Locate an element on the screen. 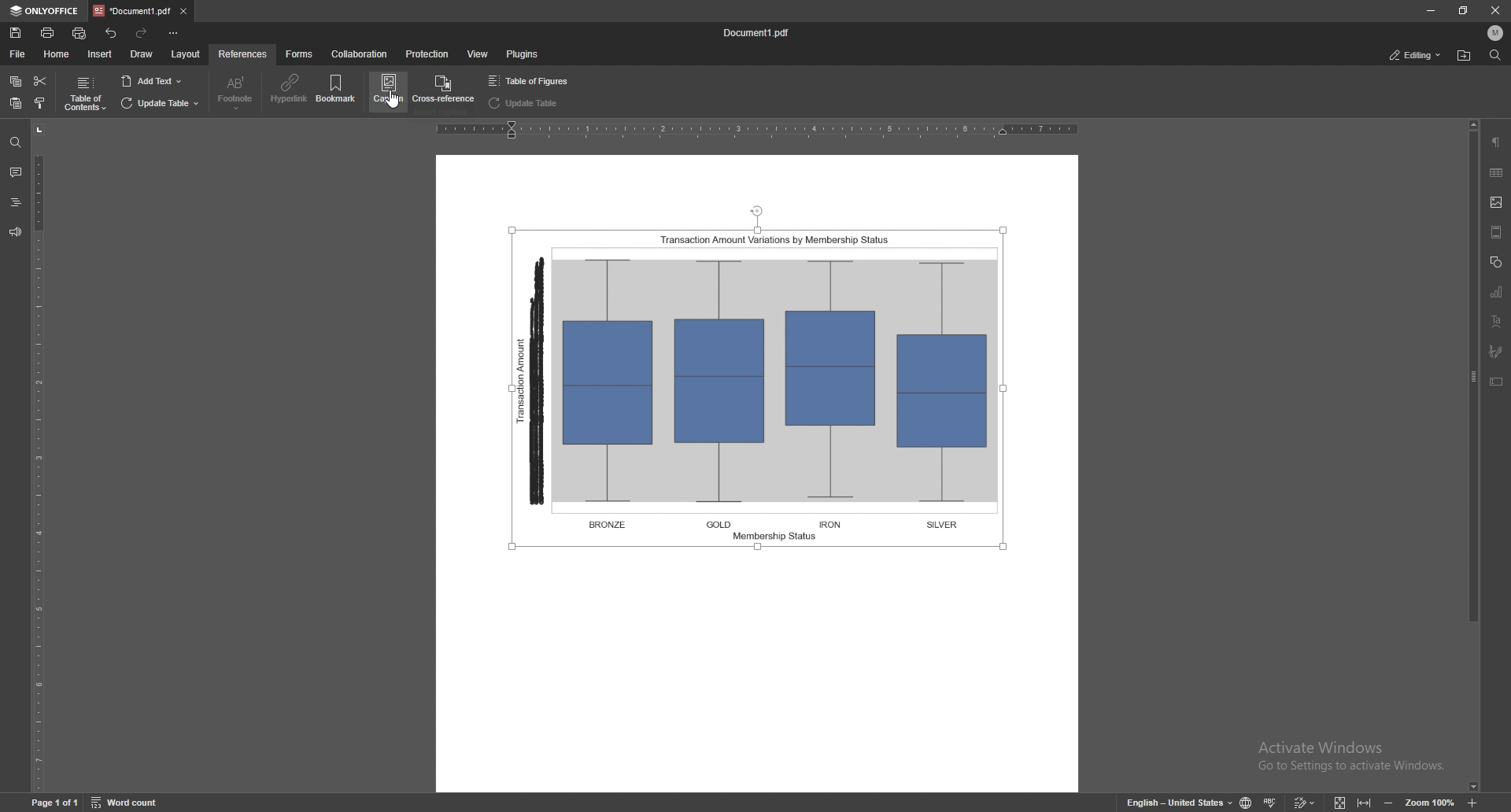 The image size is (1511, 812). caption is located at coordinates (387, 90).